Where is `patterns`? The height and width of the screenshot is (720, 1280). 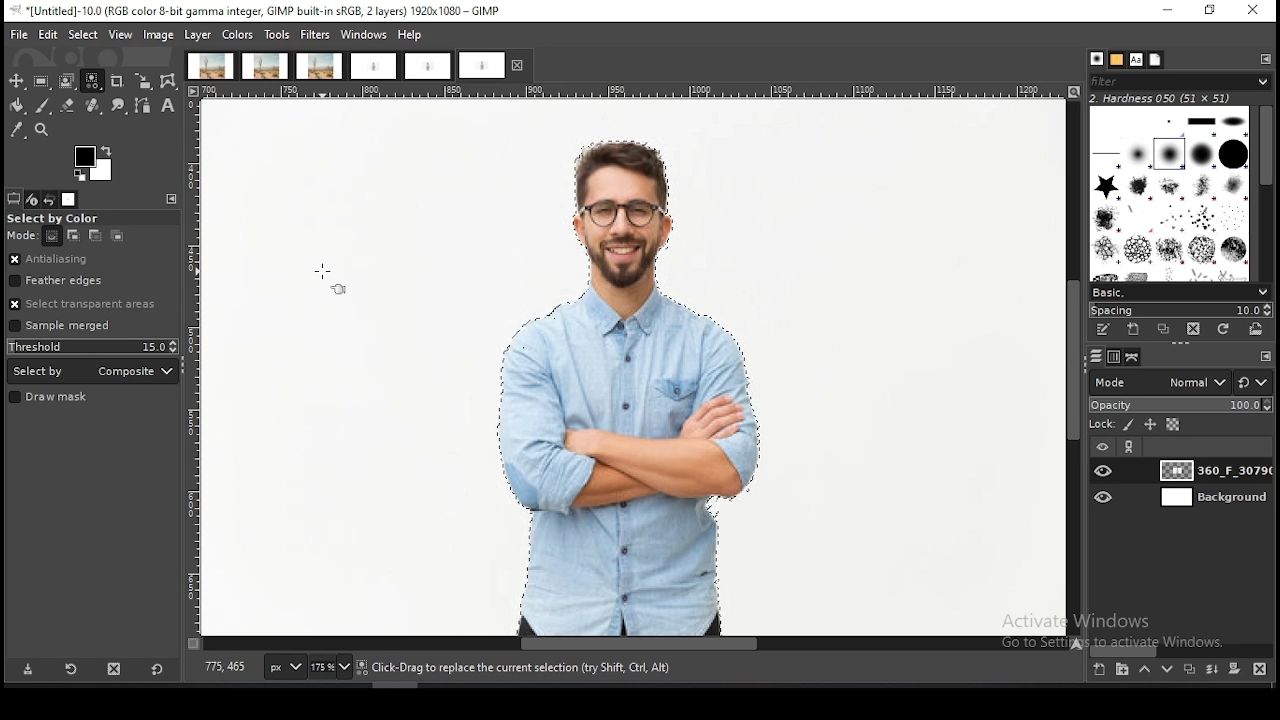
patterns is located at coordinates (1118, 60).